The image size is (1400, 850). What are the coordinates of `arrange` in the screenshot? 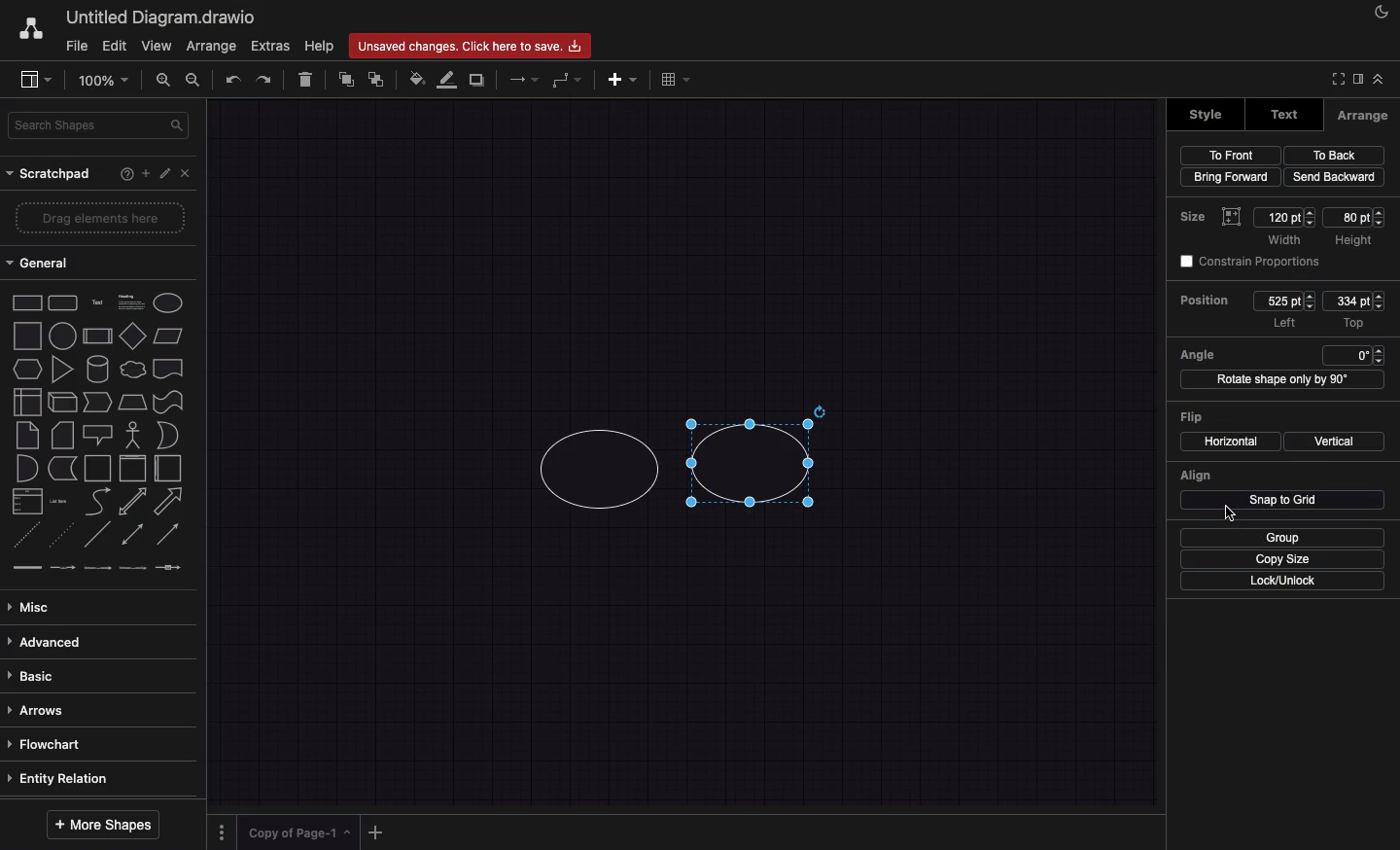 It's located at (1361, 116).